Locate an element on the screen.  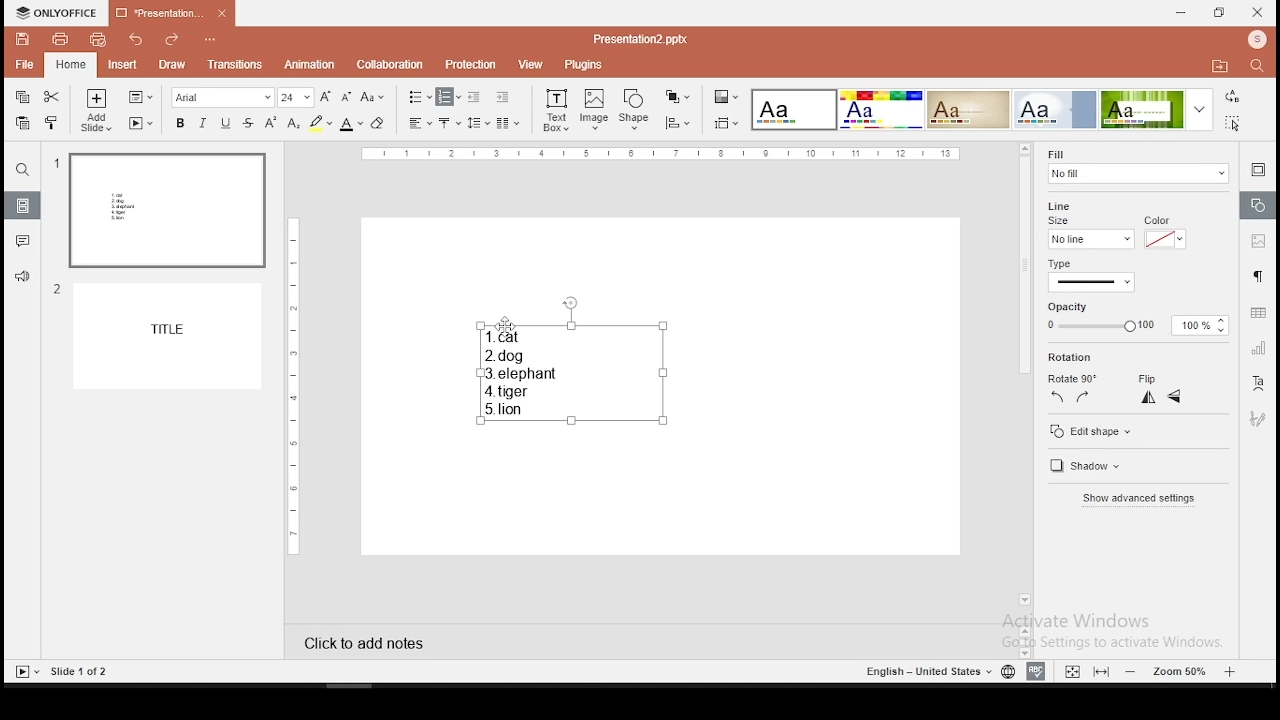
align objects is located at coordinates (676, 123).